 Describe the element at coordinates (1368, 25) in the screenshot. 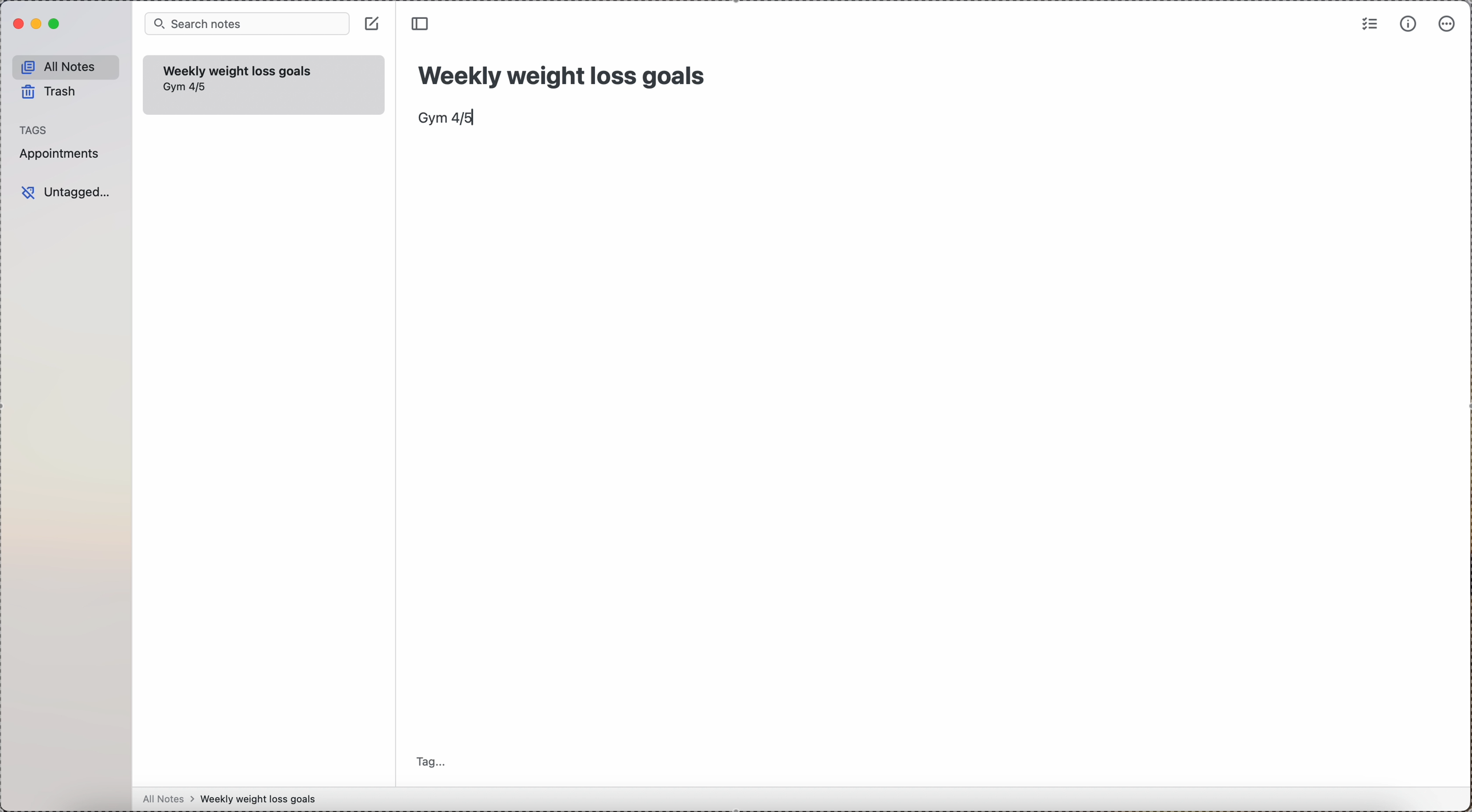

I see `check list` at that location.